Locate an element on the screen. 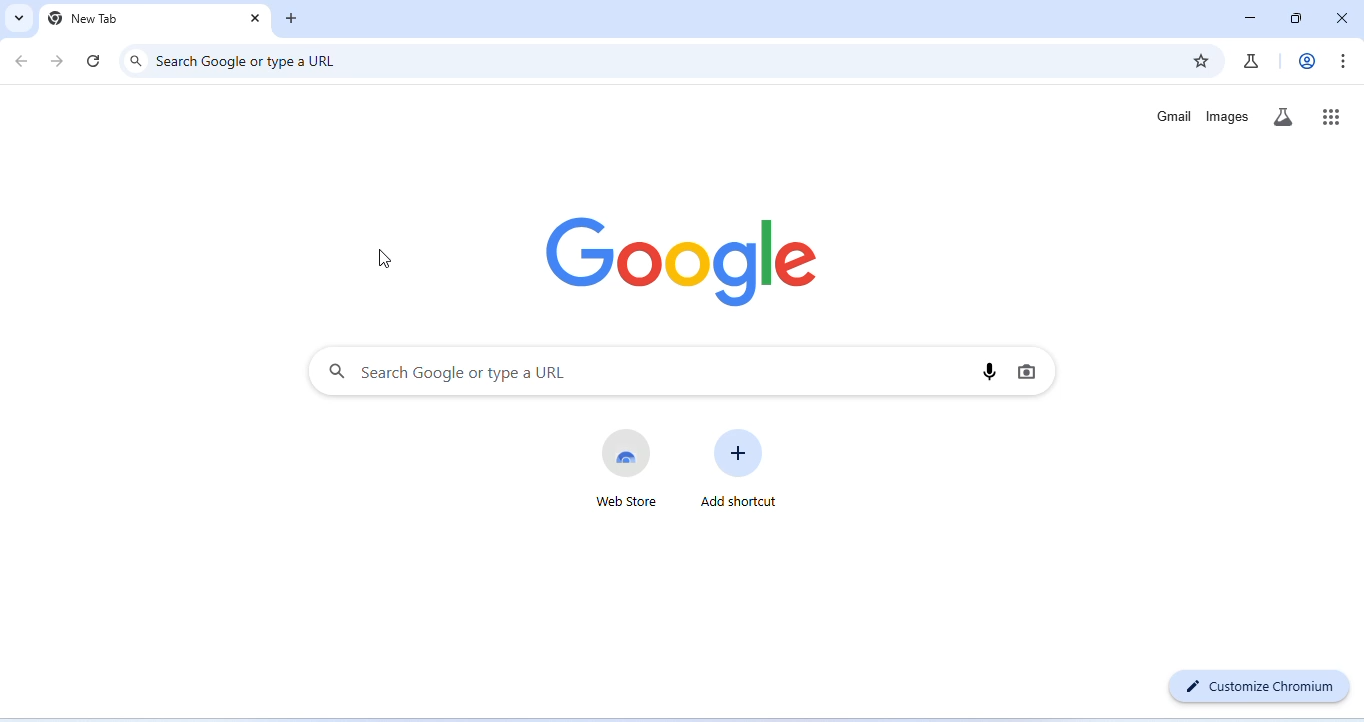 Image resolution: width=1364 pixels, height=722 pixels. search tabs is located at coordinates (17, 18).